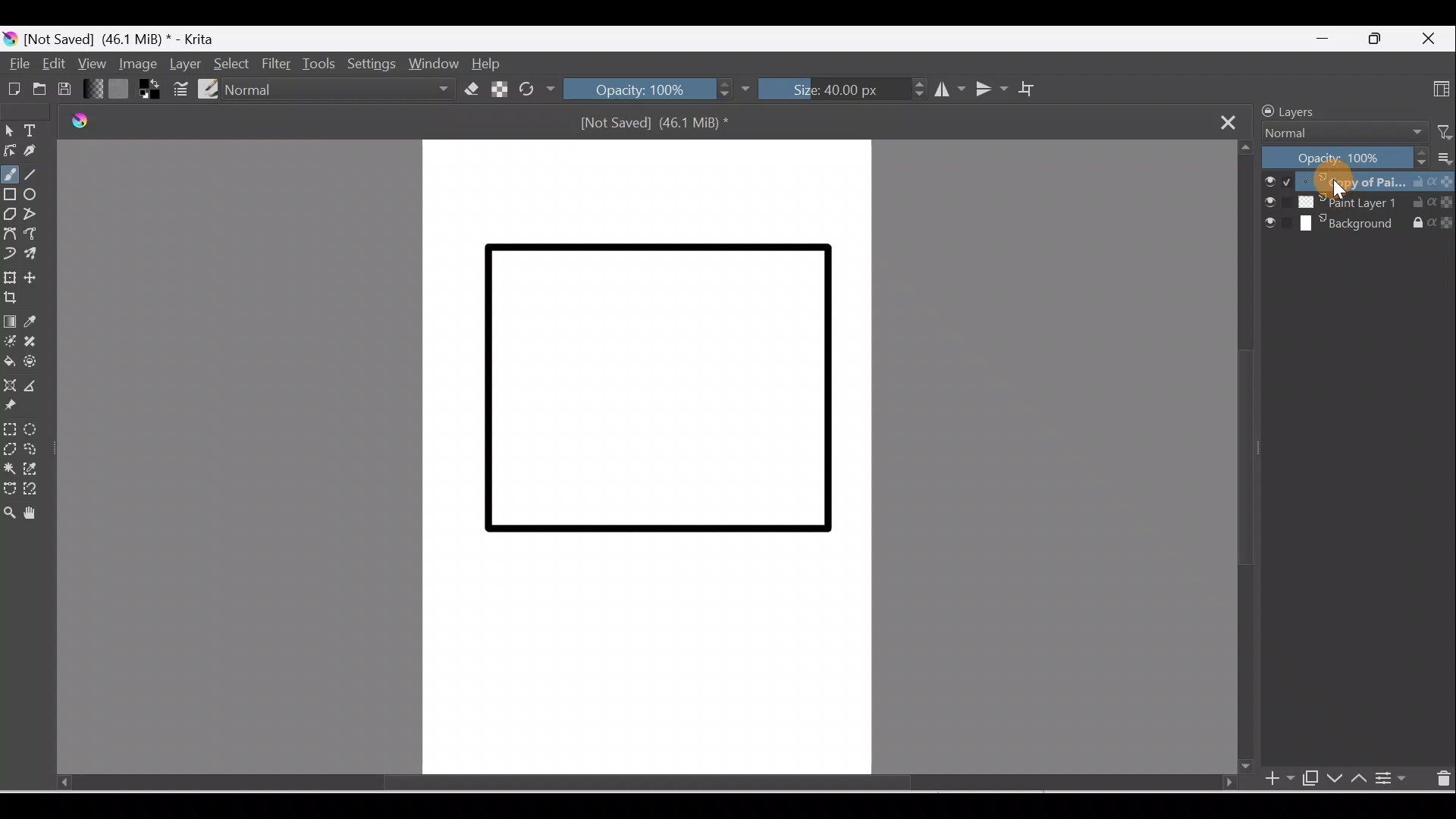 This screenshot has height=819, width=1456. Describe the element at coordinates (1265, 111) in the screenshot. I see `lock/unlock docker` at that location.